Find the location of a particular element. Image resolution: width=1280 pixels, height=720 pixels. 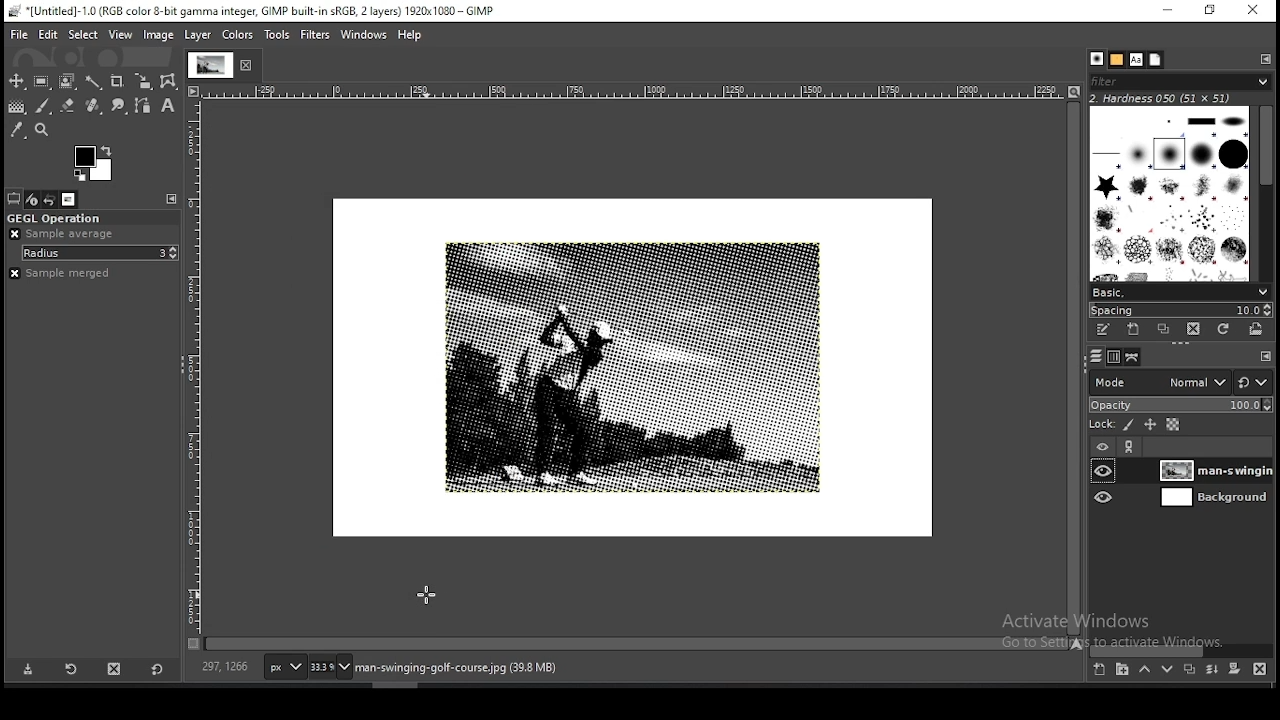

save tool preset is located at coordinates (29, 670).